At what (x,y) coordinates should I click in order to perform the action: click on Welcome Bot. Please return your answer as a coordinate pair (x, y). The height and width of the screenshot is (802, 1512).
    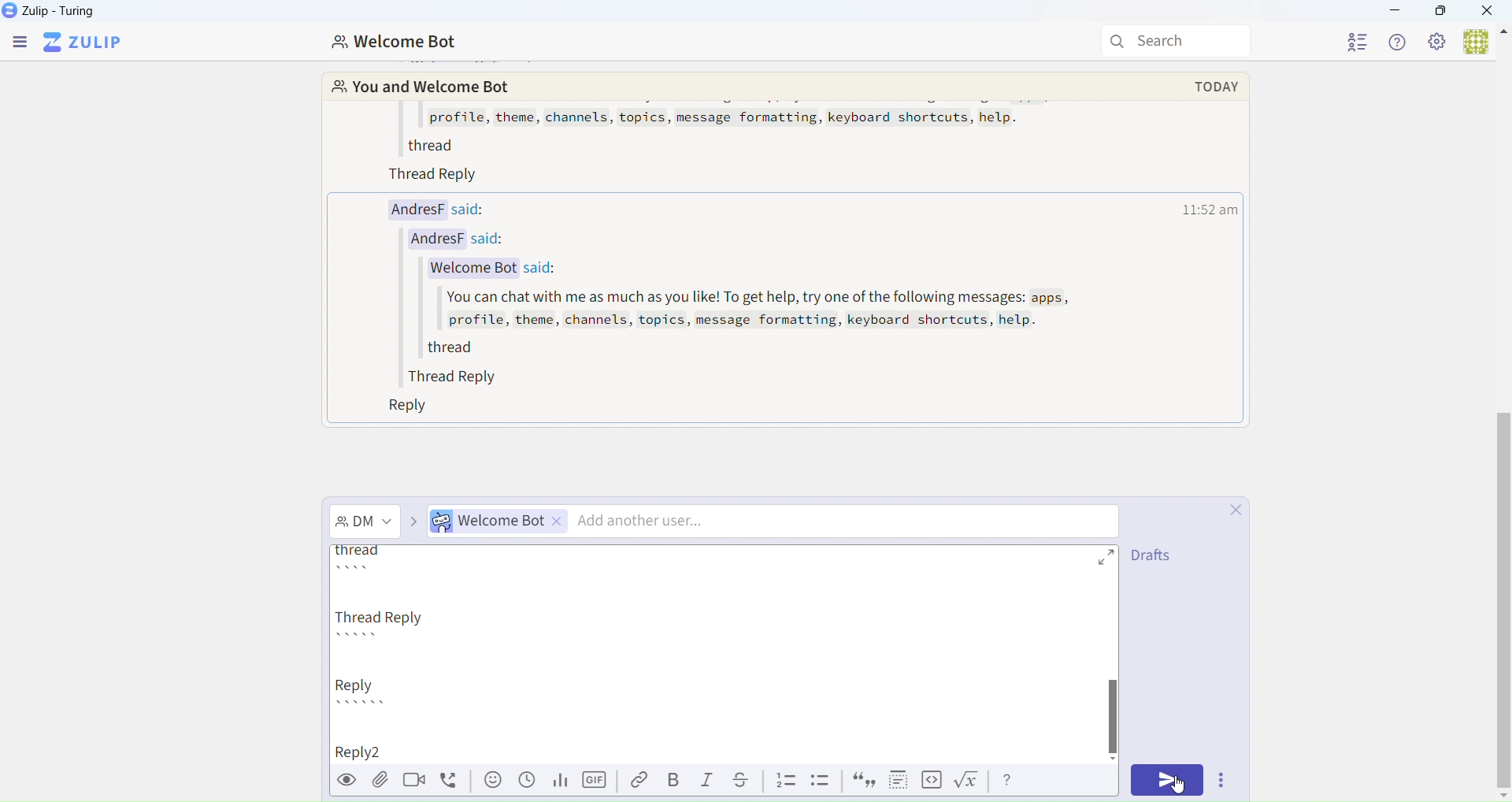
    Looking at the image, I should click on (398, 44).